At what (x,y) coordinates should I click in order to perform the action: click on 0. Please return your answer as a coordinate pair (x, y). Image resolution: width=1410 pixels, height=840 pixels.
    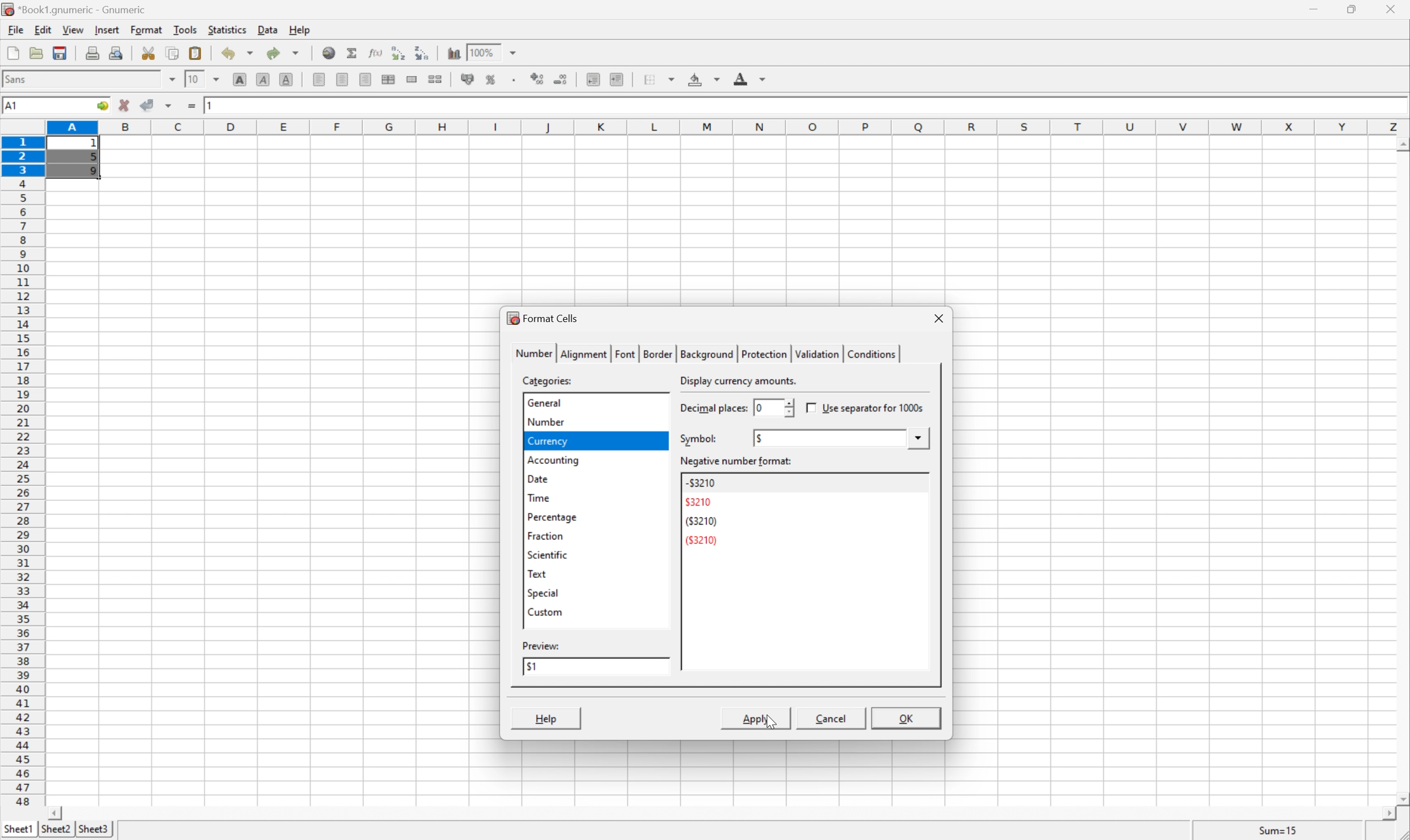
    Looking at the image, I should click on (756, 408).